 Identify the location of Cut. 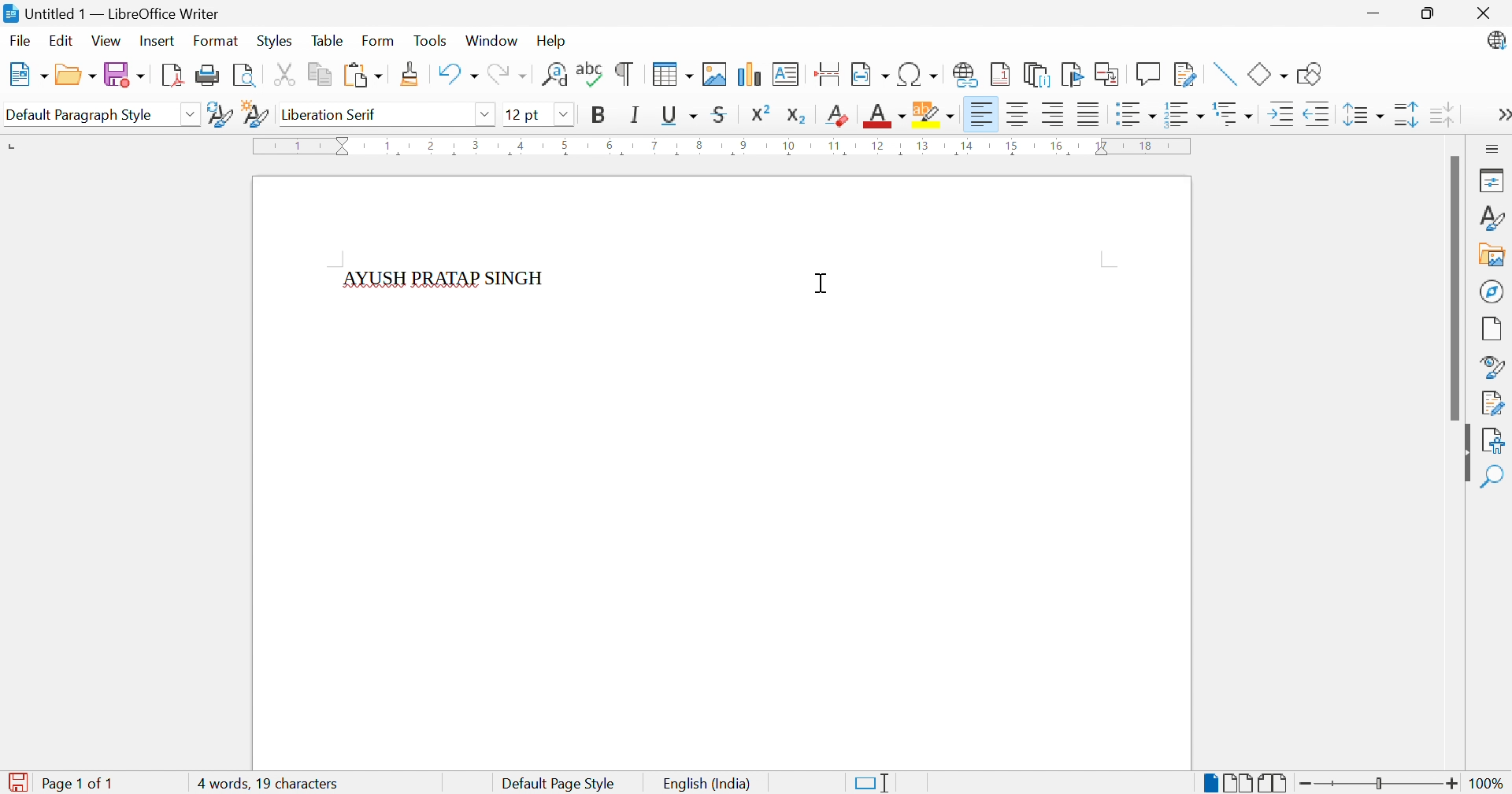
(285, 74).